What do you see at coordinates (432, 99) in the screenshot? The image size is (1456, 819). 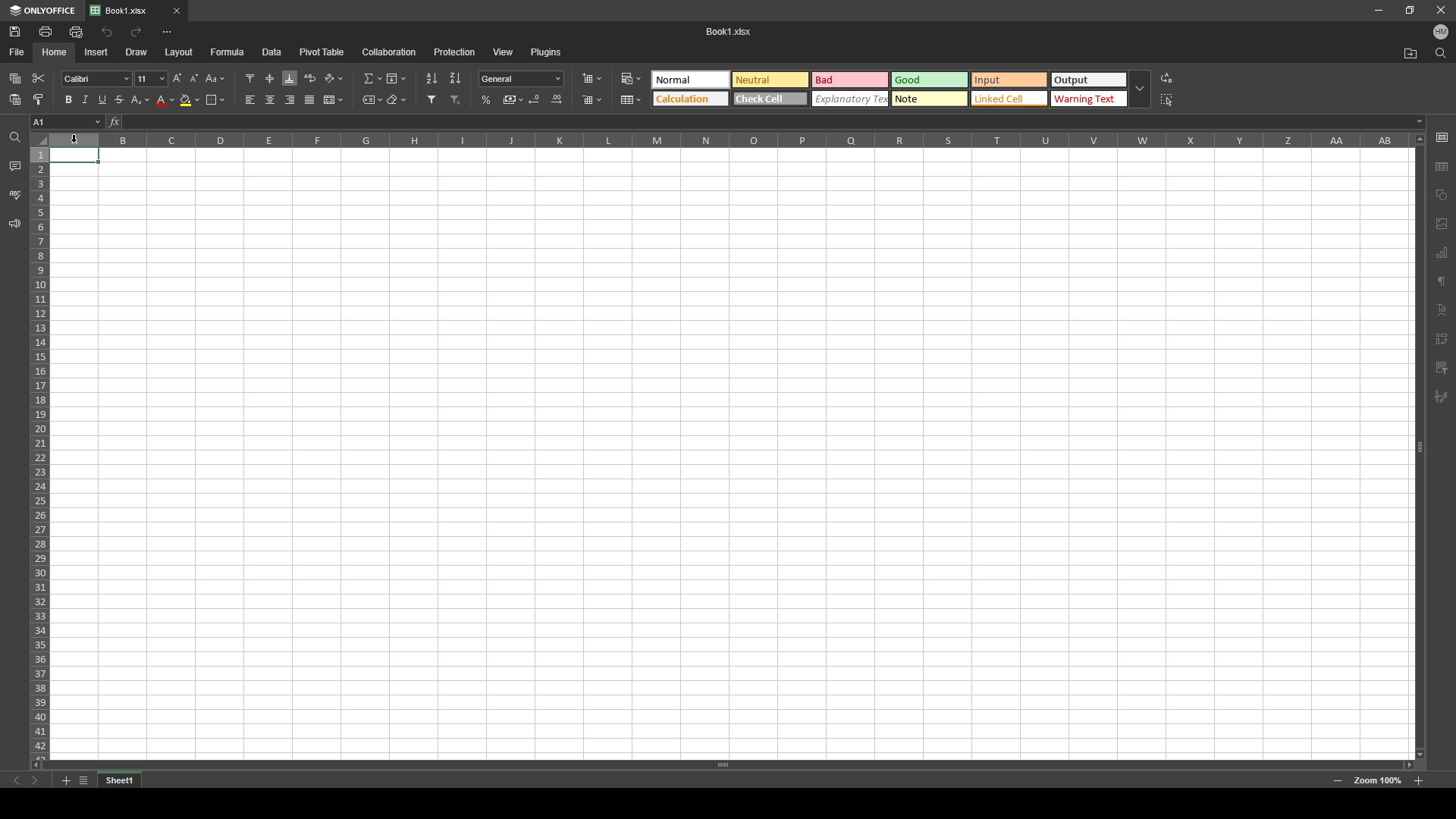 I see `filter` at bounding box center [432, 99].